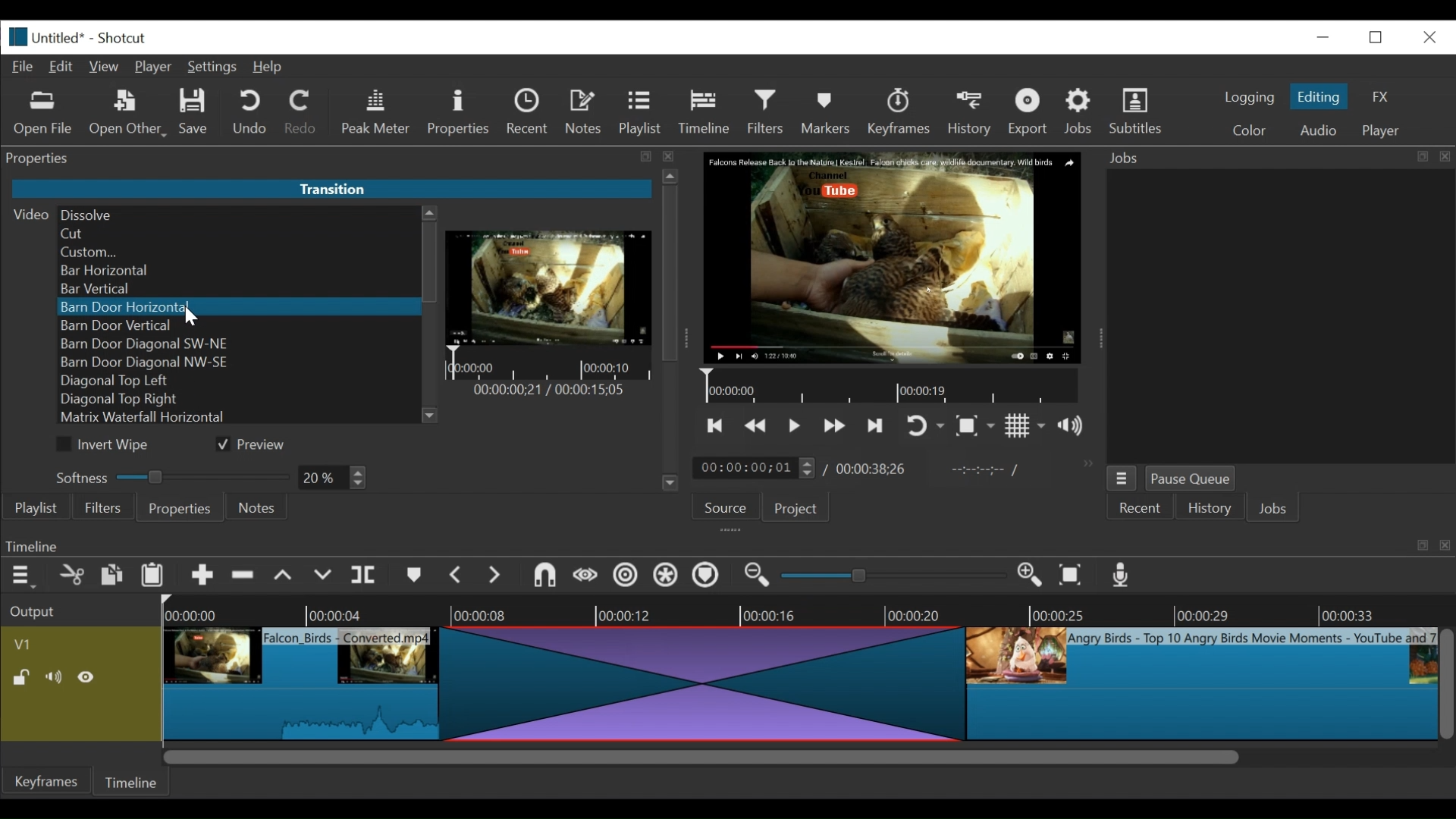 The height and width of the screenshot is (819, 1456). I want to click on Barn Door Diagonal NW-SE, so click(236, 364).